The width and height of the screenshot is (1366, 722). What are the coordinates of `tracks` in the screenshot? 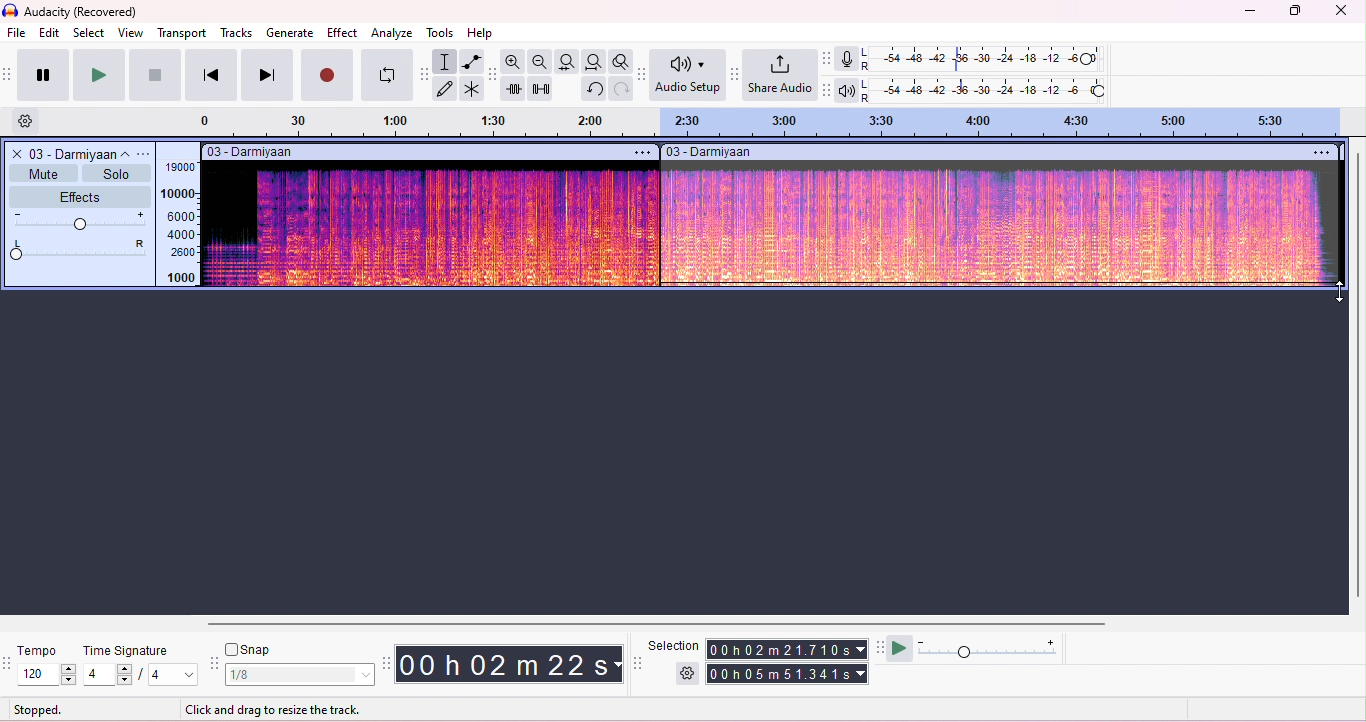 It's located at (236, 33).